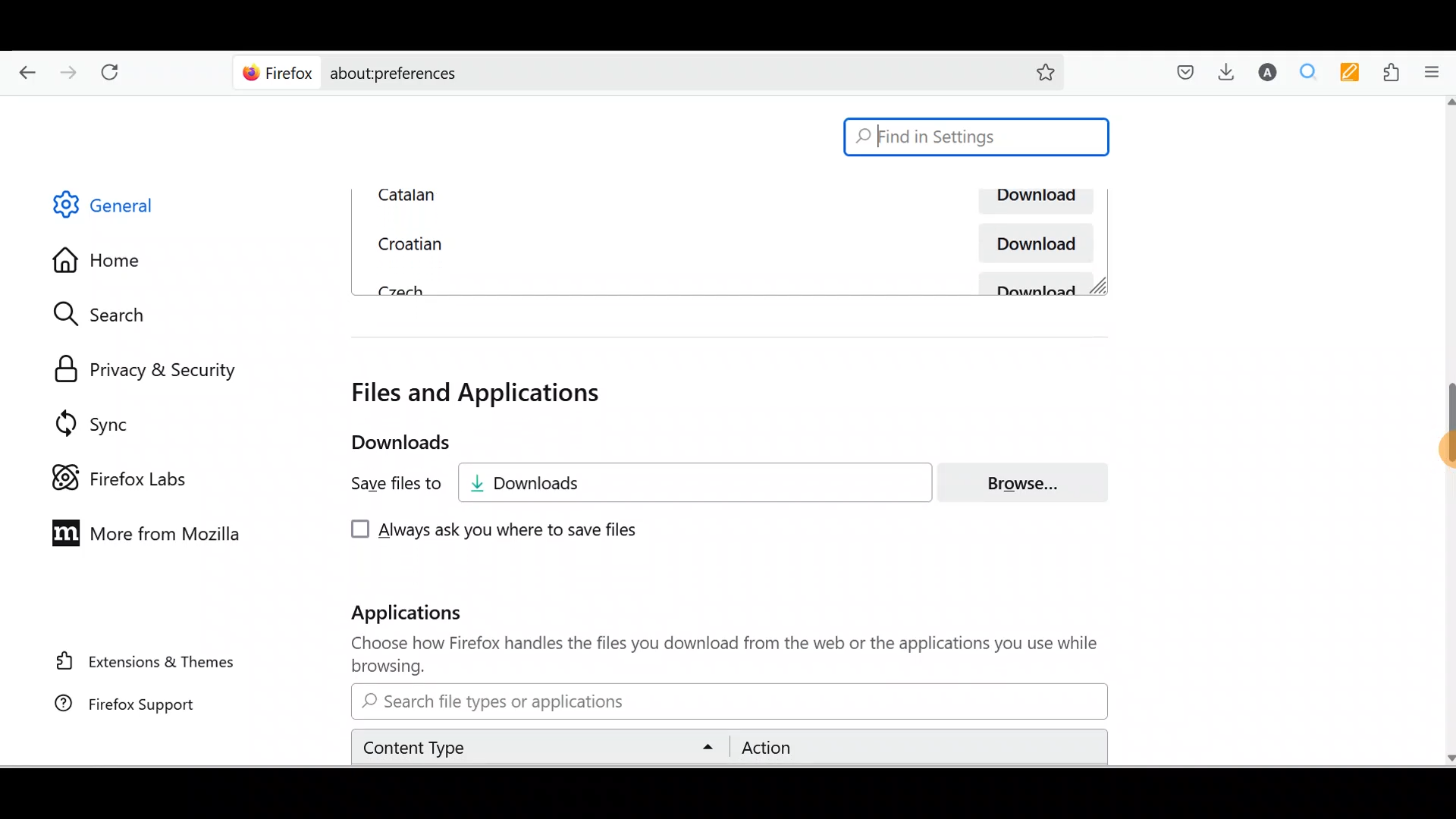  Describe the element at coordinates (1447, 421) in the screenshot. I see `Drag to - scroll bar` at that location.